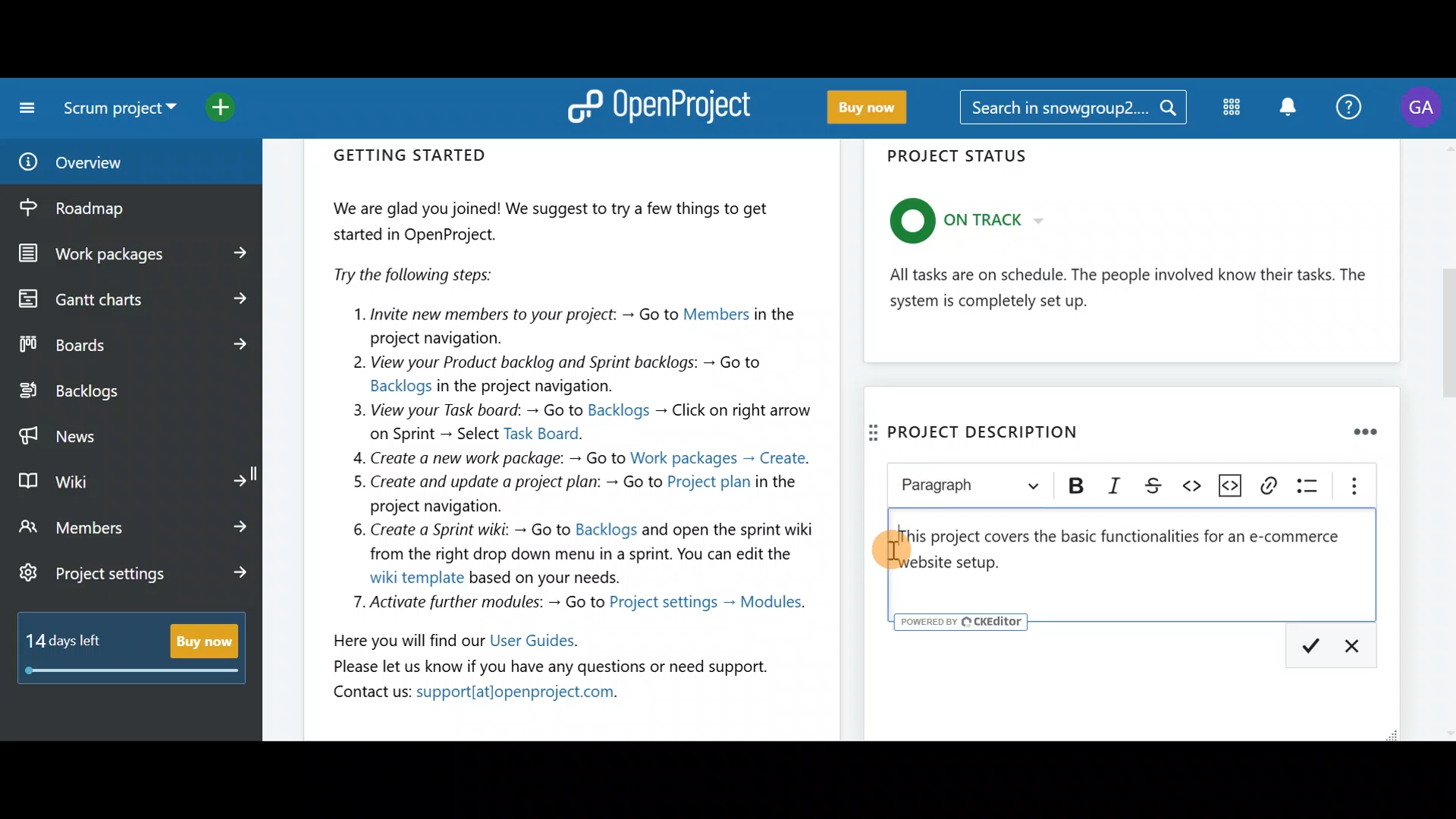 Image resolution: width=1456 pixels, height=819 pixels. Describe the element at coordinates (1228, 111) in the screenshot. I see `Modules` at that location.